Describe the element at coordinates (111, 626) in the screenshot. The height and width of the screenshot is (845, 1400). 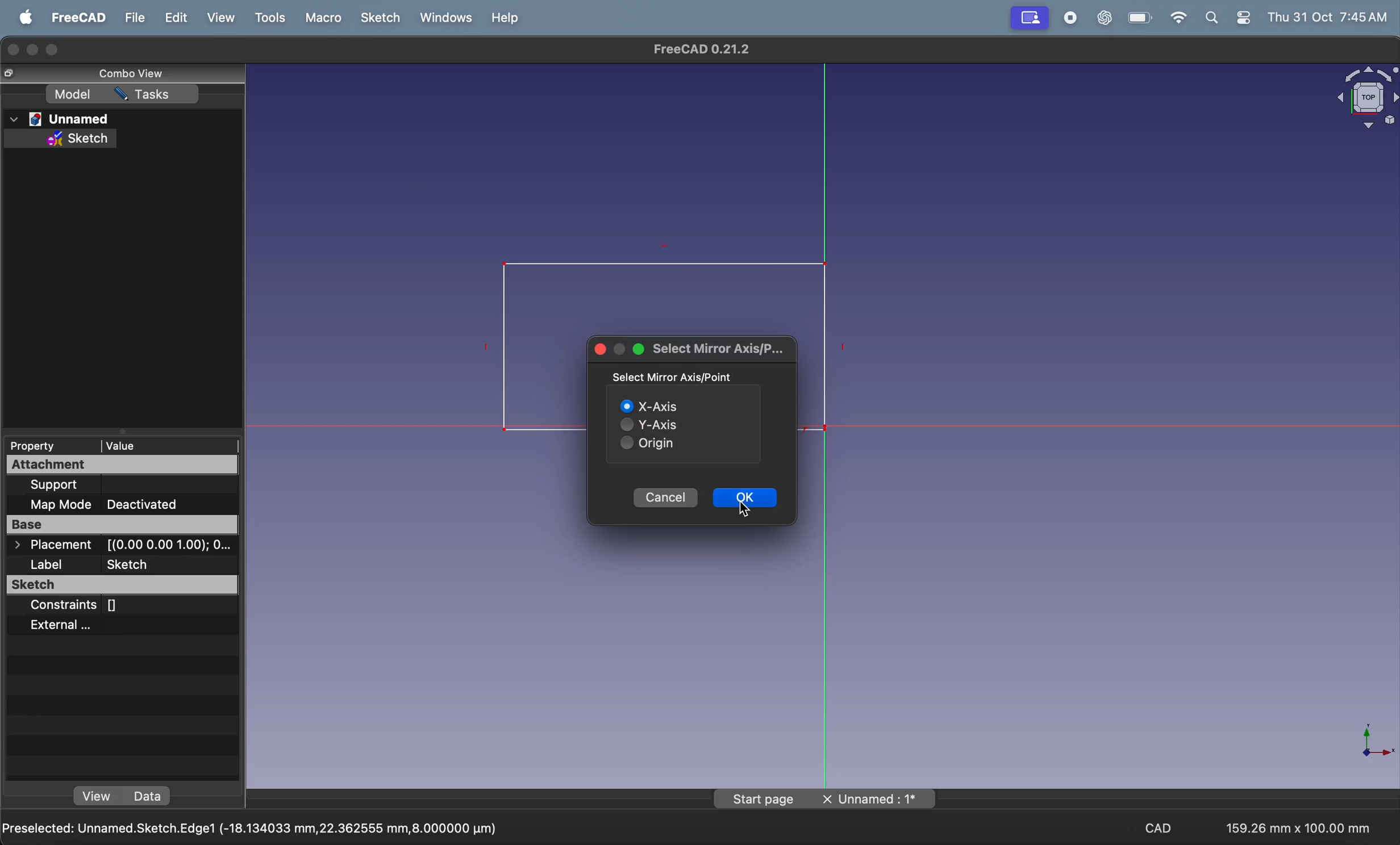
I see `external` at that location.